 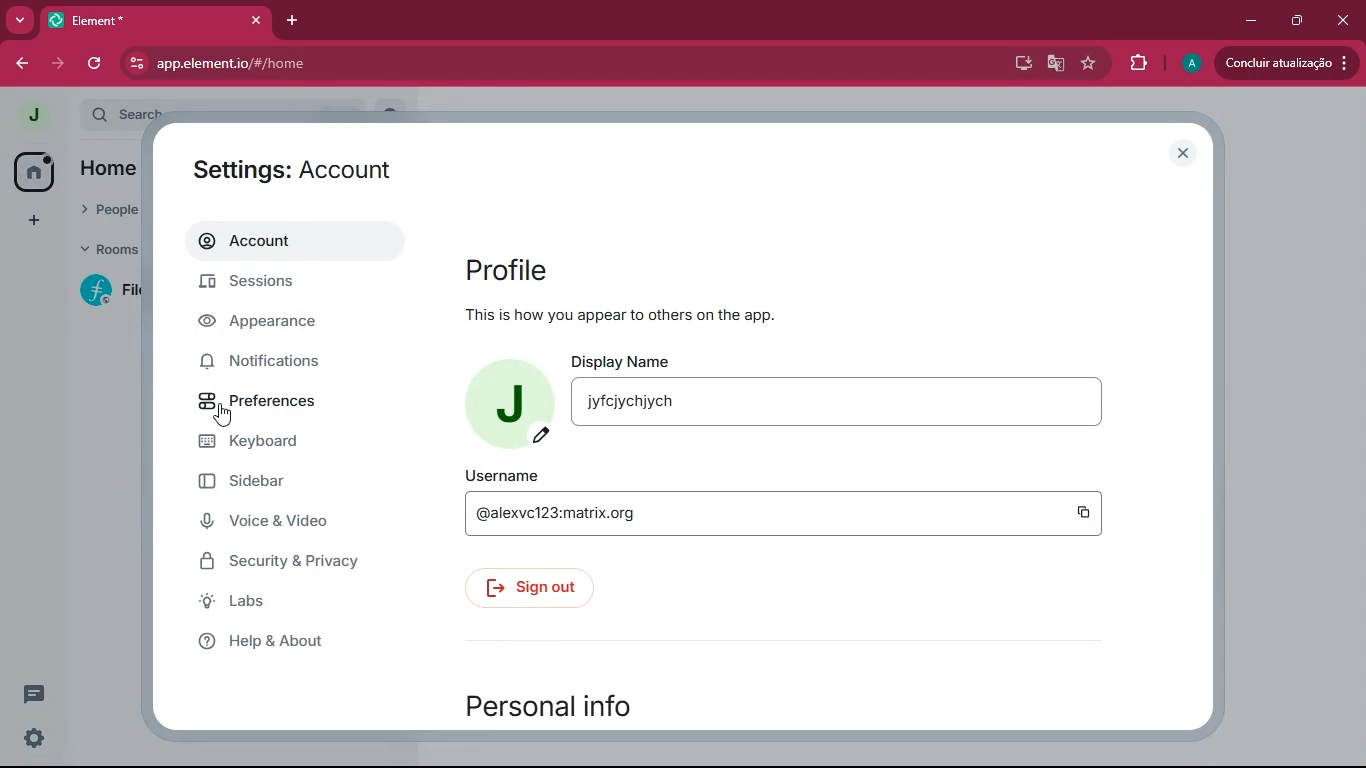 What do you see at coordinates (285, 565) in the screenshot?
I see `security & privacy` at bounding box center [285, 565].